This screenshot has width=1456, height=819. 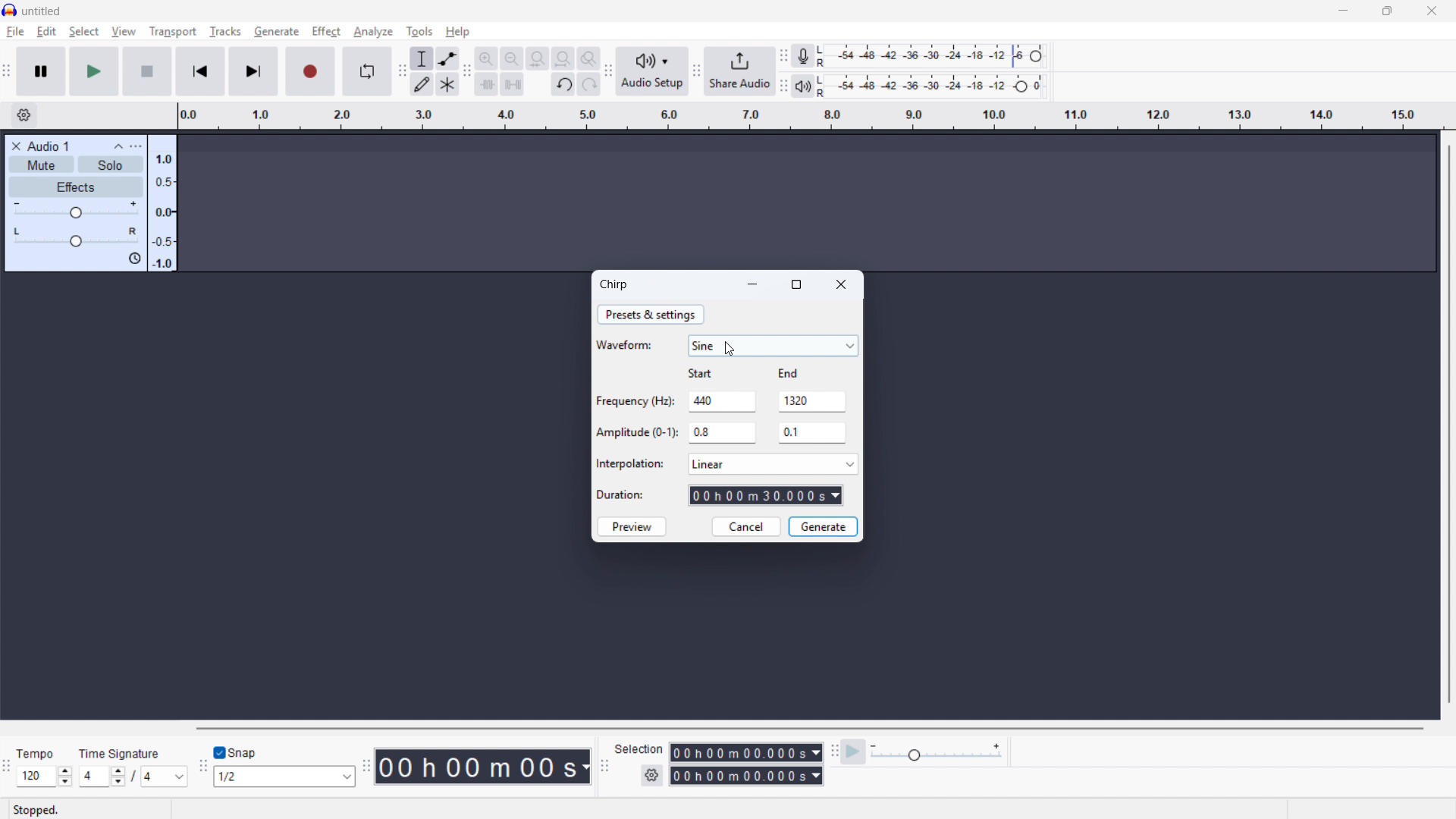 I want to click on Record , so click(x=311, y=71).